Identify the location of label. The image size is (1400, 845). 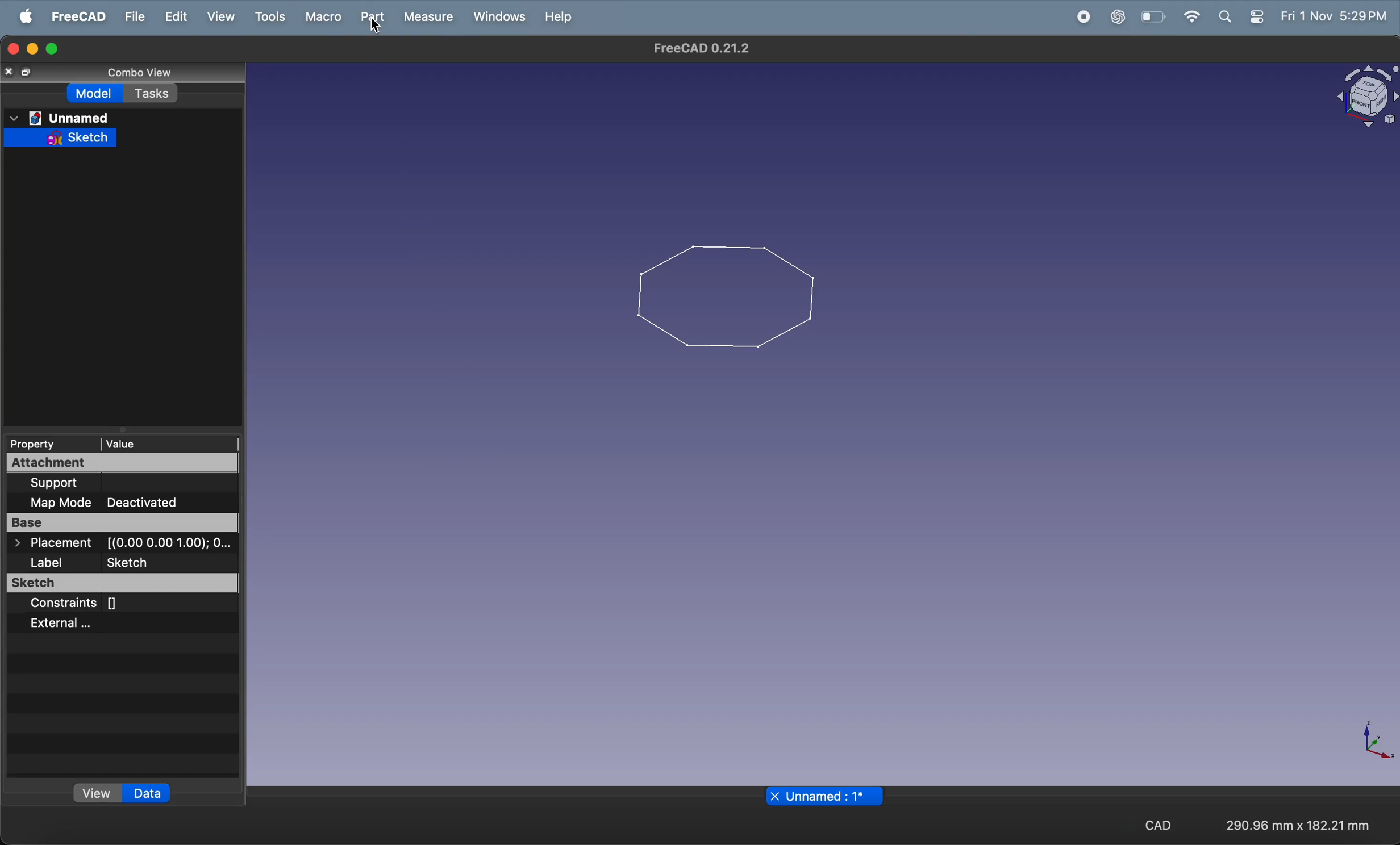
(44, 564).